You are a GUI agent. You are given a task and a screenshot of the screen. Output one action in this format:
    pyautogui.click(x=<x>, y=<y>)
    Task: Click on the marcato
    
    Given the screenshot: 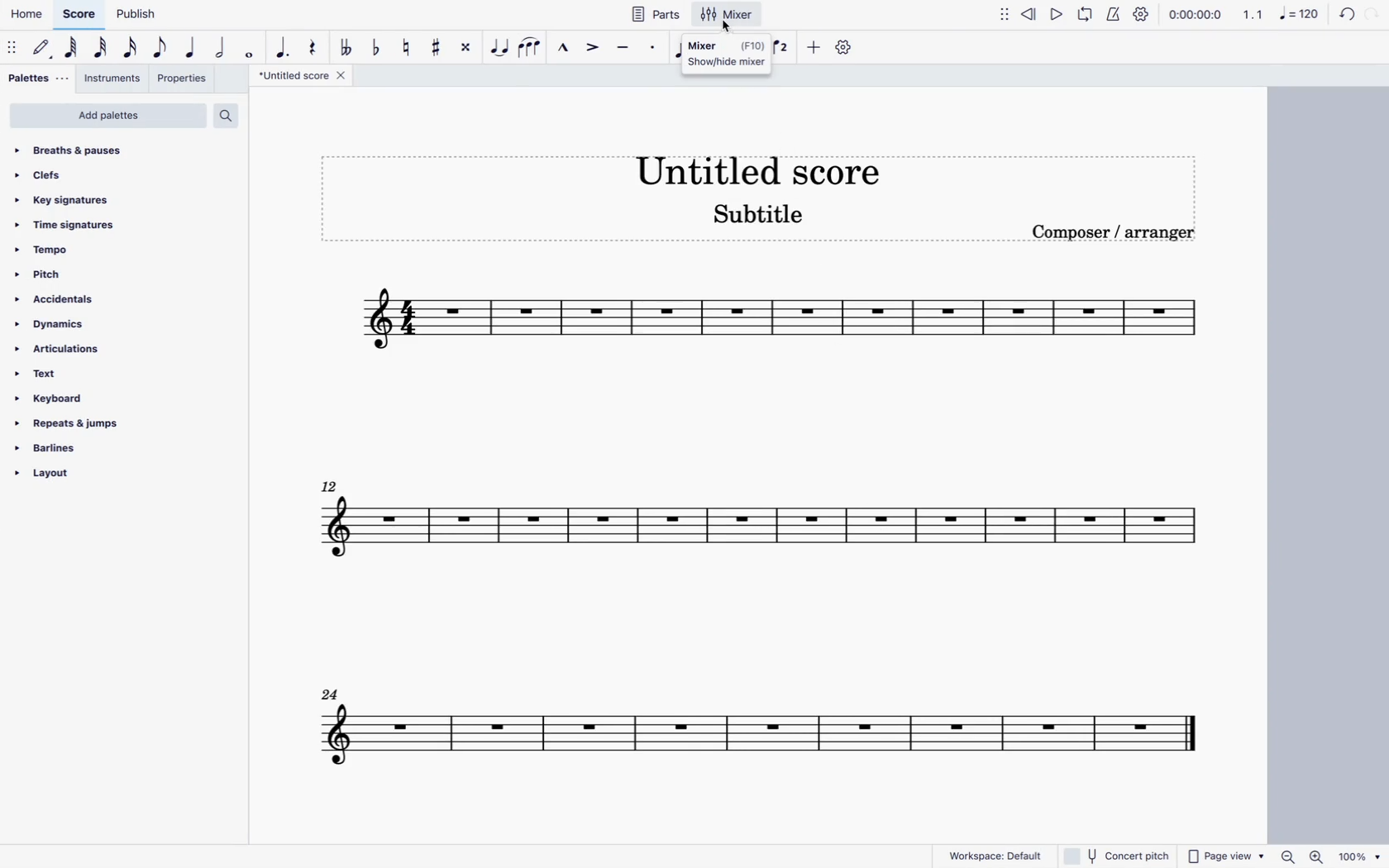 What is the action you would take?
    pyautogui.click(x=561, y=46)
    